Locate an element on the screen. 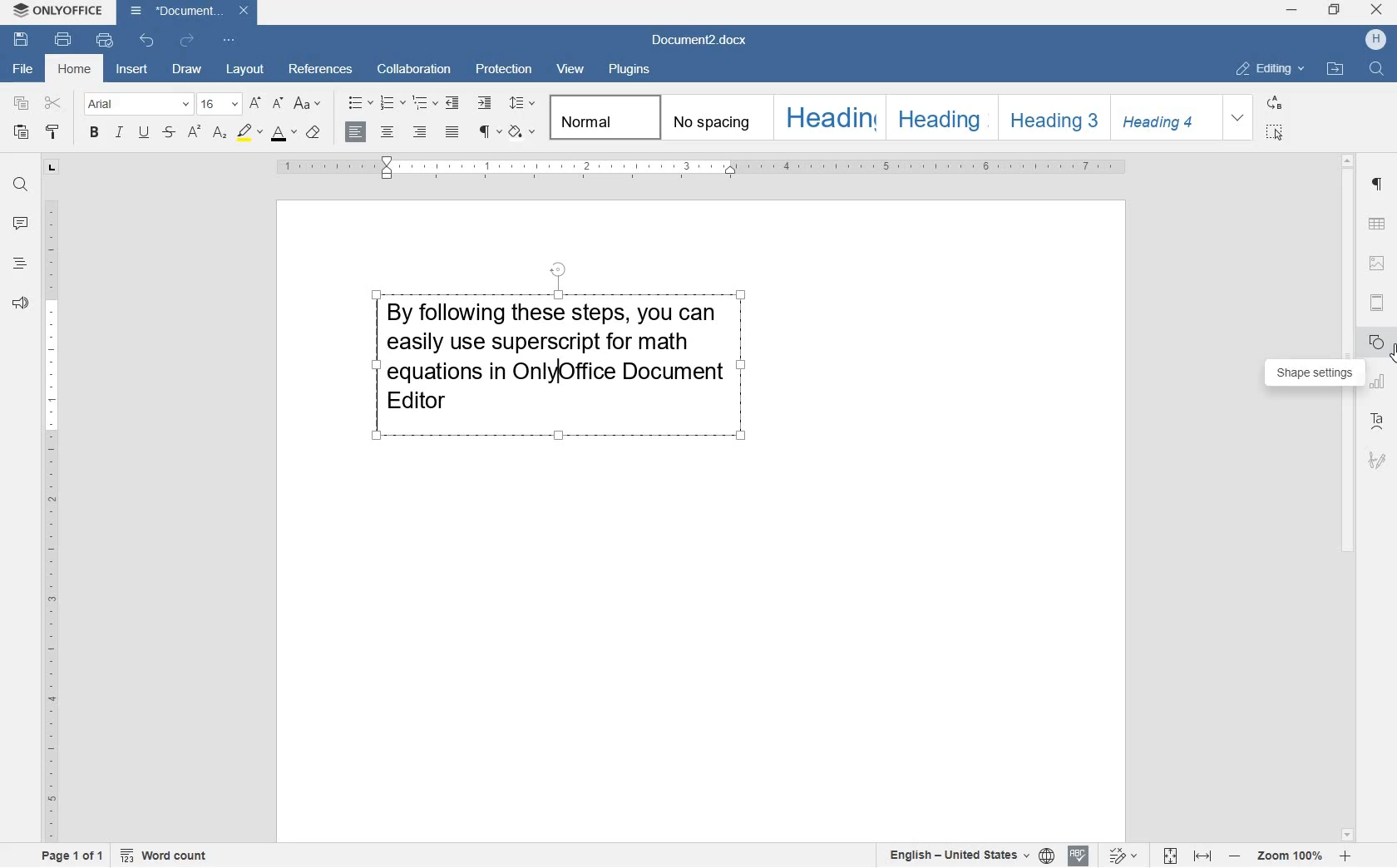 This screenshot has height=868, width=1397. HEADING 4 is located at coordinates (1161, 118).